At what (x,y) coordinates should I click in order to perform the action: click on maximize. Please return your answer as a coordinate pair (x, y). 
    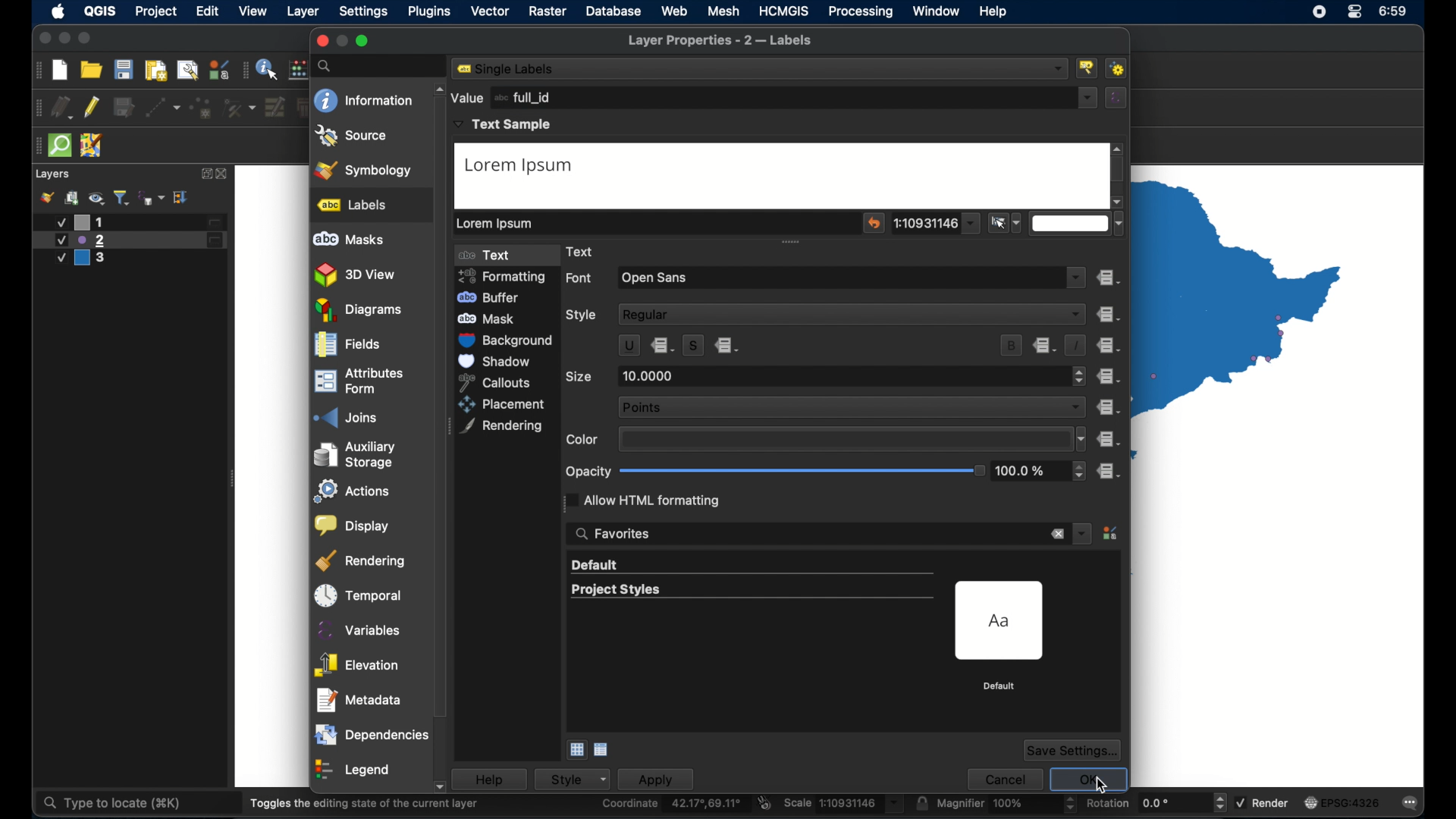
    Looking at the image, I should click on (363, 41).